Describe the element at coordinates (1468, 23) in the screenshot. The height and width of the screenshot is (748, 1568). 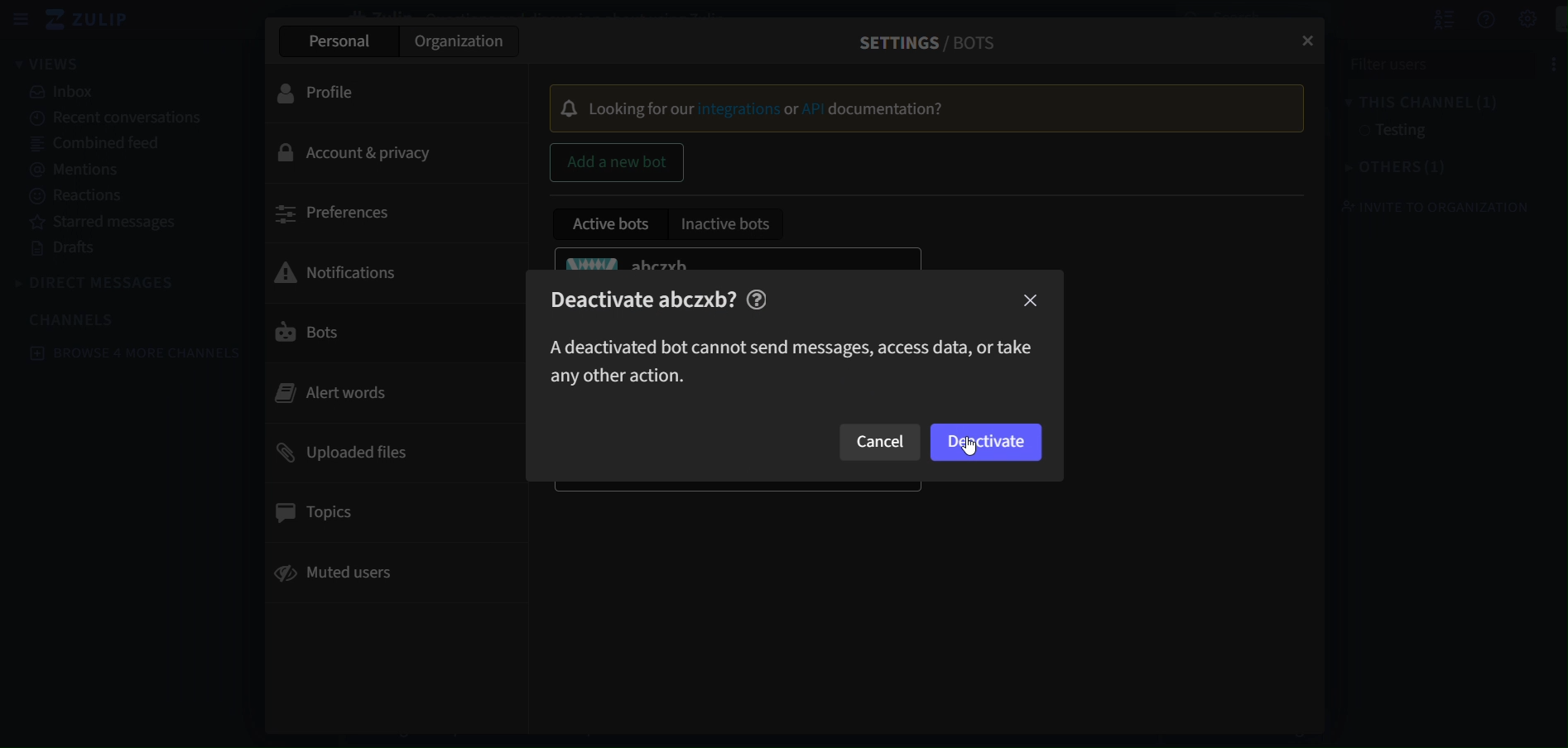
I see `get help` at that location.